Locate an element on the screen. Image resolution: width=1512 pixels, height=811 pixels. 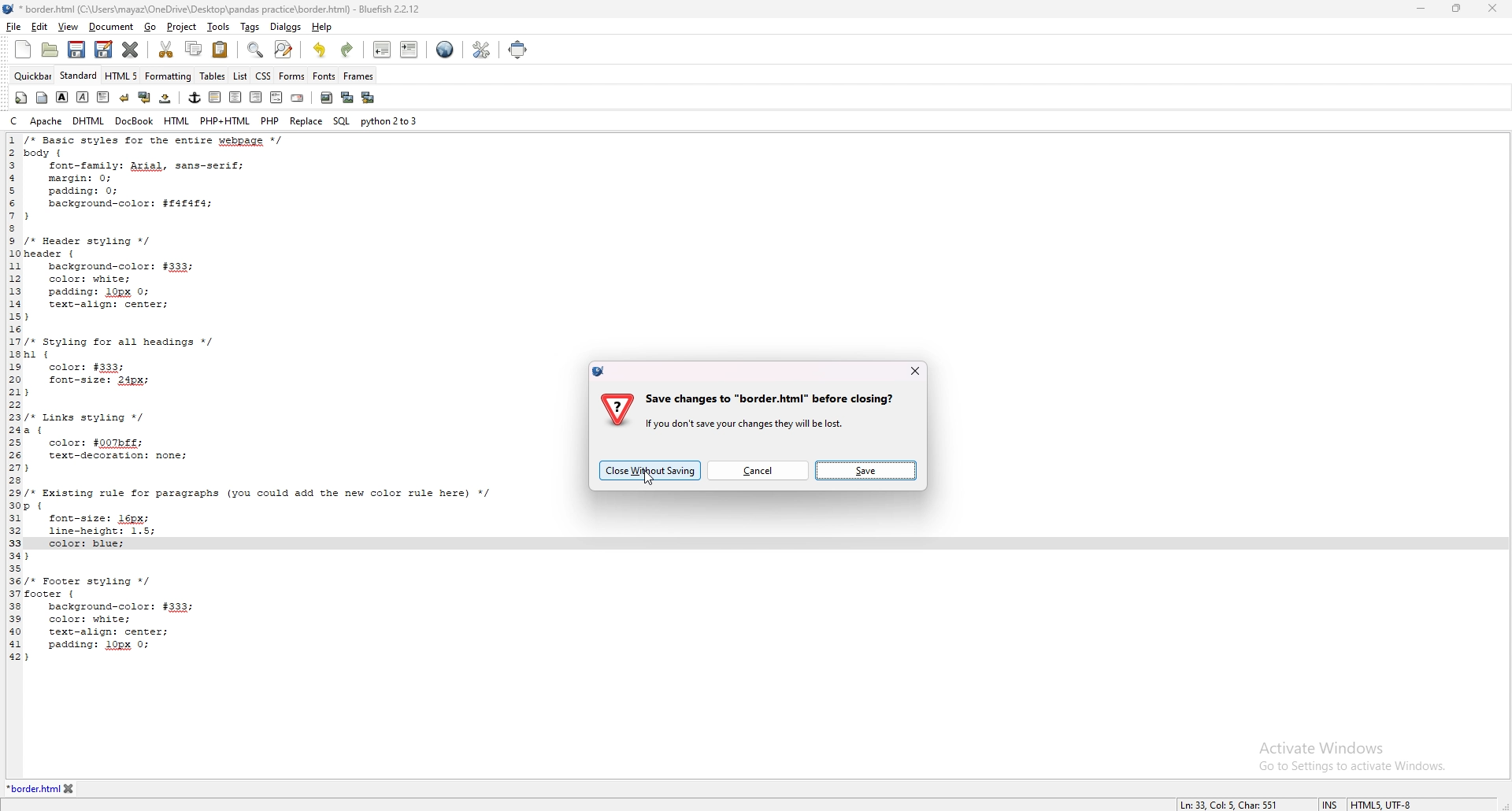
paste is located at coordinates (220, 50).